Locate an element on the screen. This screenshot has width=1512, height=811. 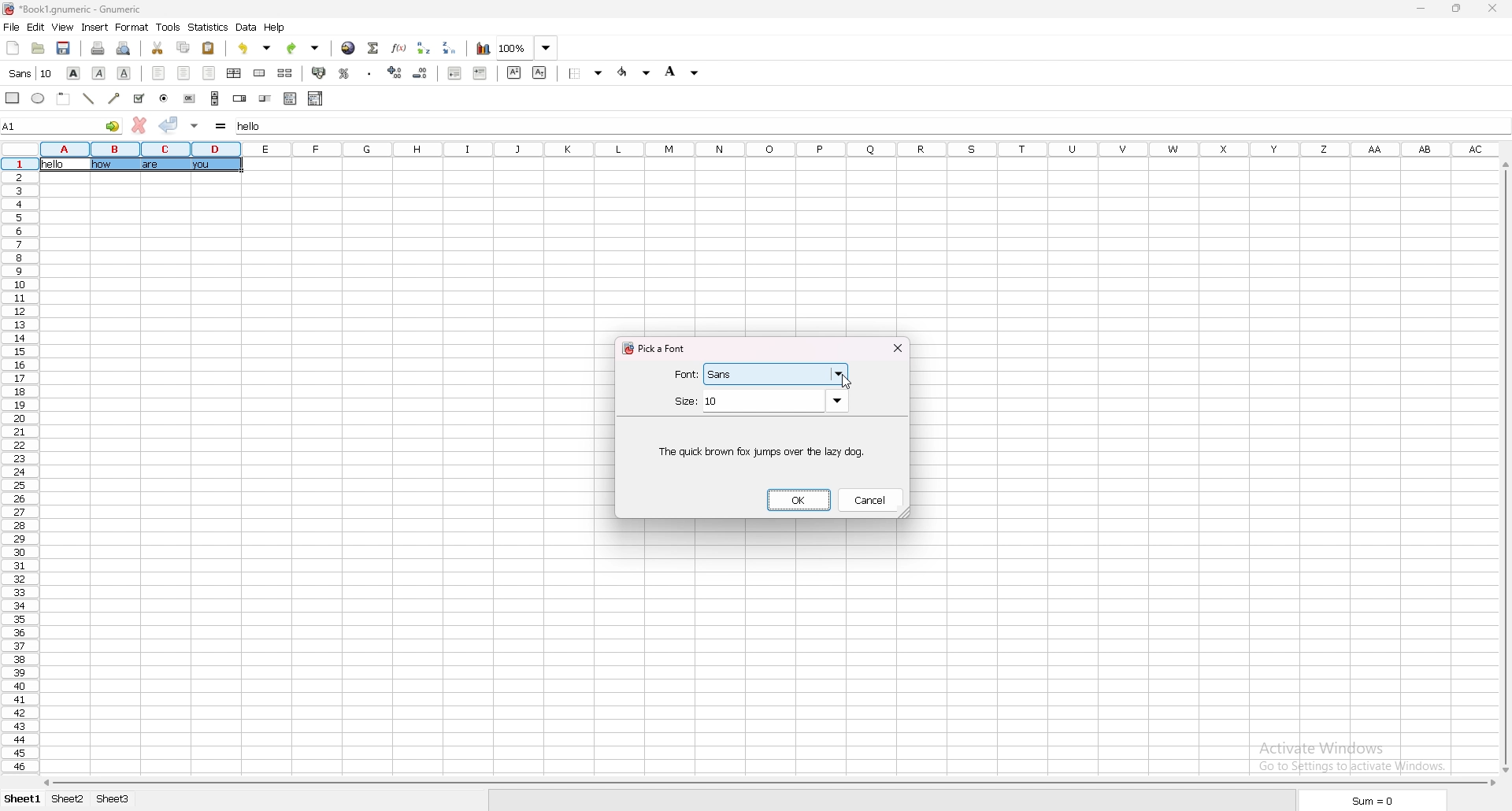
border is located at coordinates (586, 73).